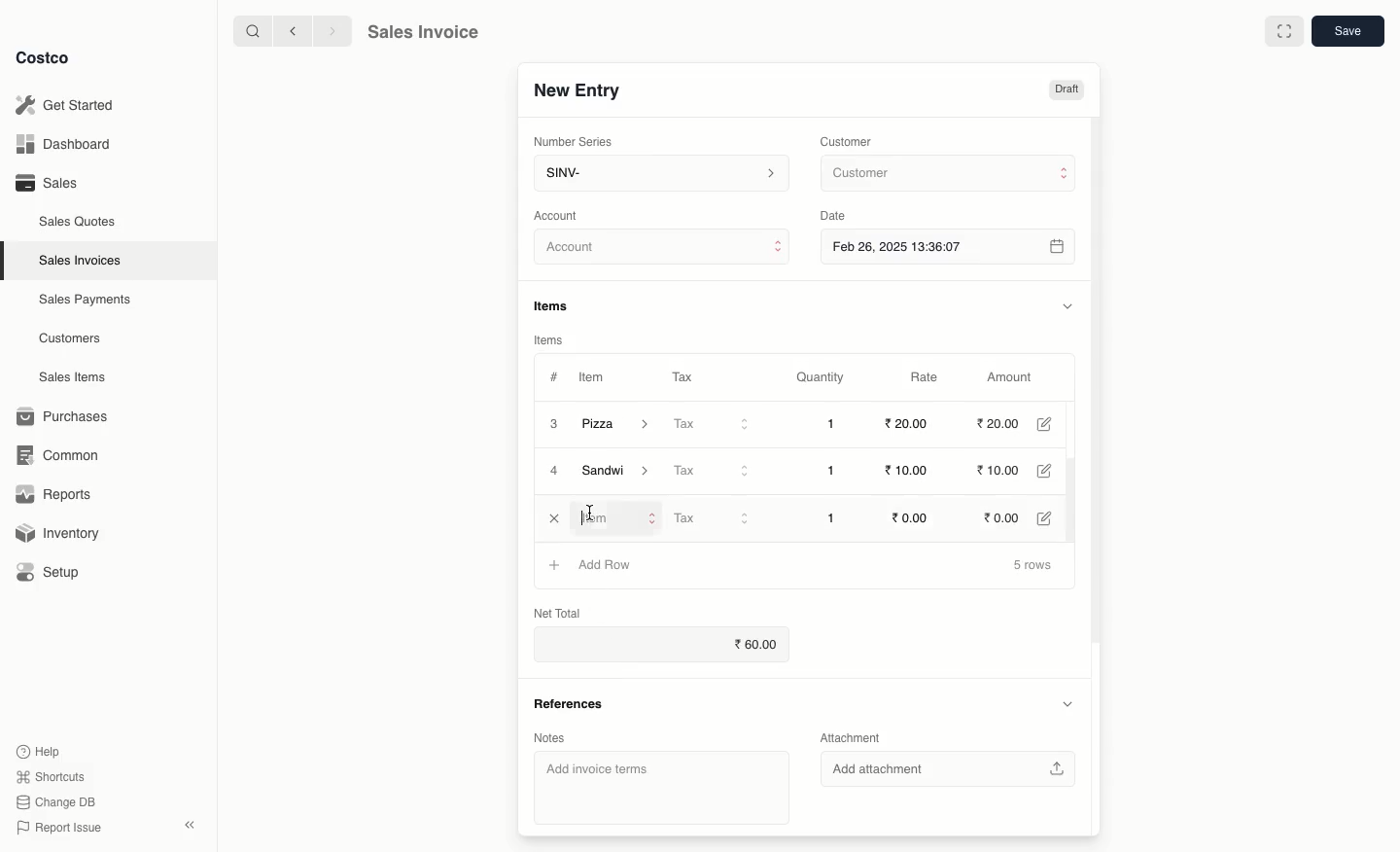 The width and height of the screenshot is (1400, 852). Describe the element at coordinates (80, 221) in the screenshot. I see `Sales Quotes` at that location.